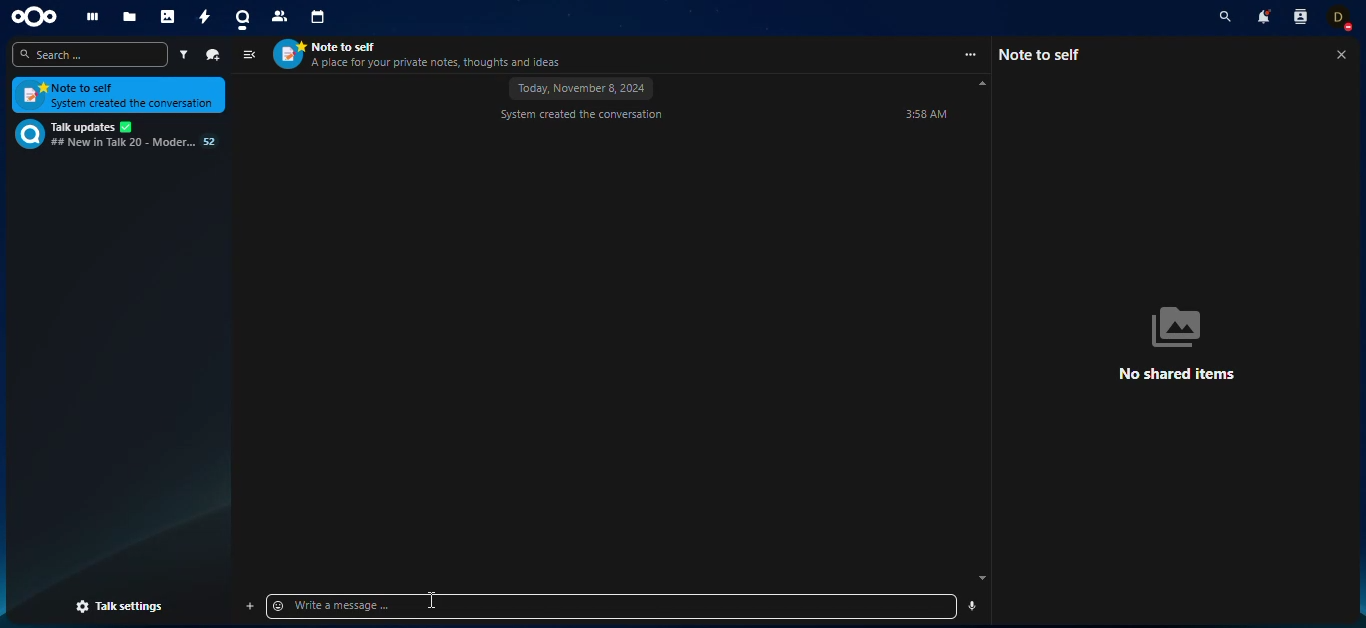 Image resolution: width=1366 pixels, height=628 pixels. What do you see at coordinates (983, 84) in the screenshot?
I see `scroll up` at bounding box center [983, 84].